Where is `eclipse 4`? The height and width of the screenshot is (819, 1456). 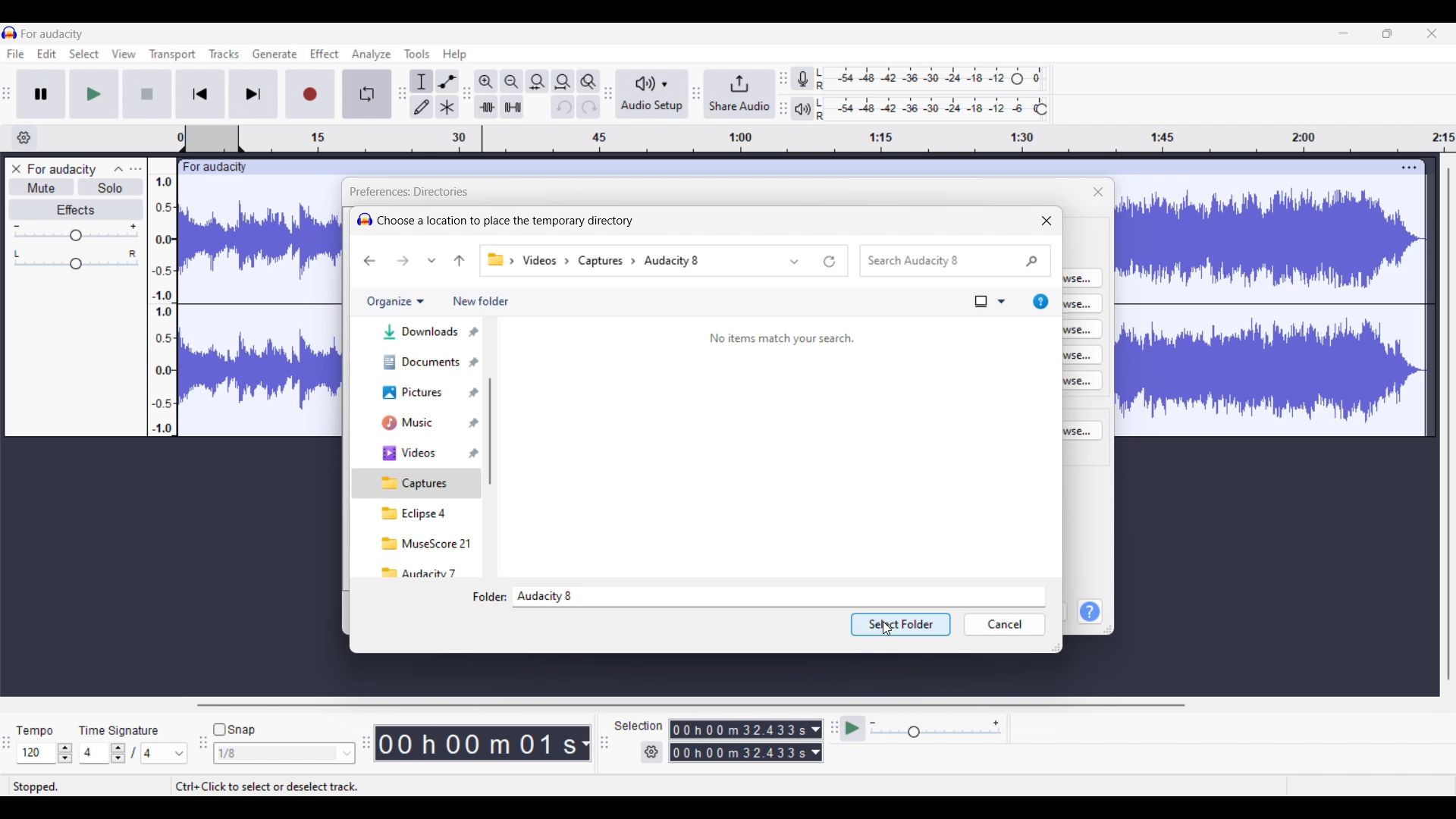
eclipse 4 is located at coordinates (416, 513).